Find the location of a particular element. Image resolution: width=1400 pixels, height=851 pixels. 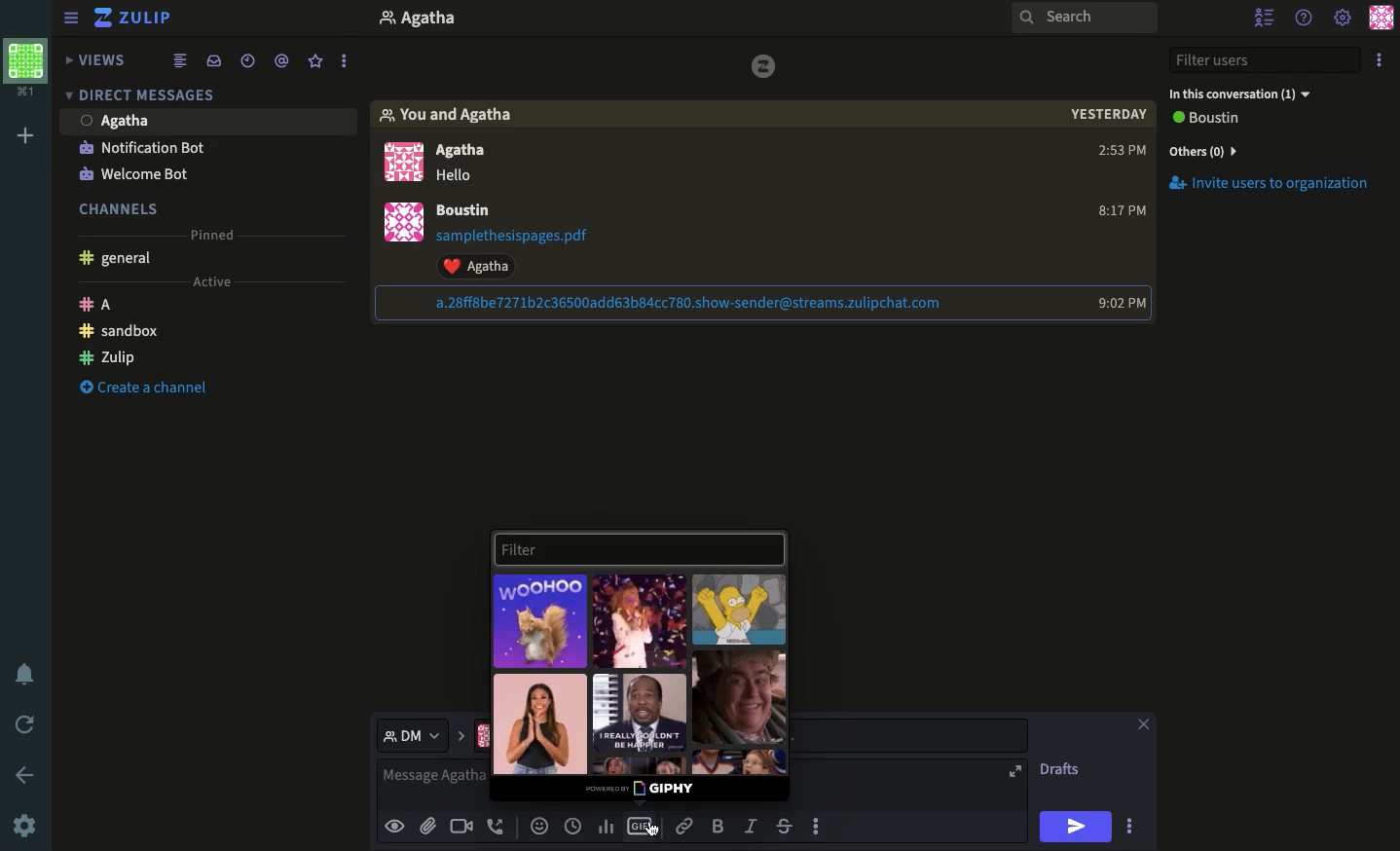

Preview is located at coordinates (397, 827).